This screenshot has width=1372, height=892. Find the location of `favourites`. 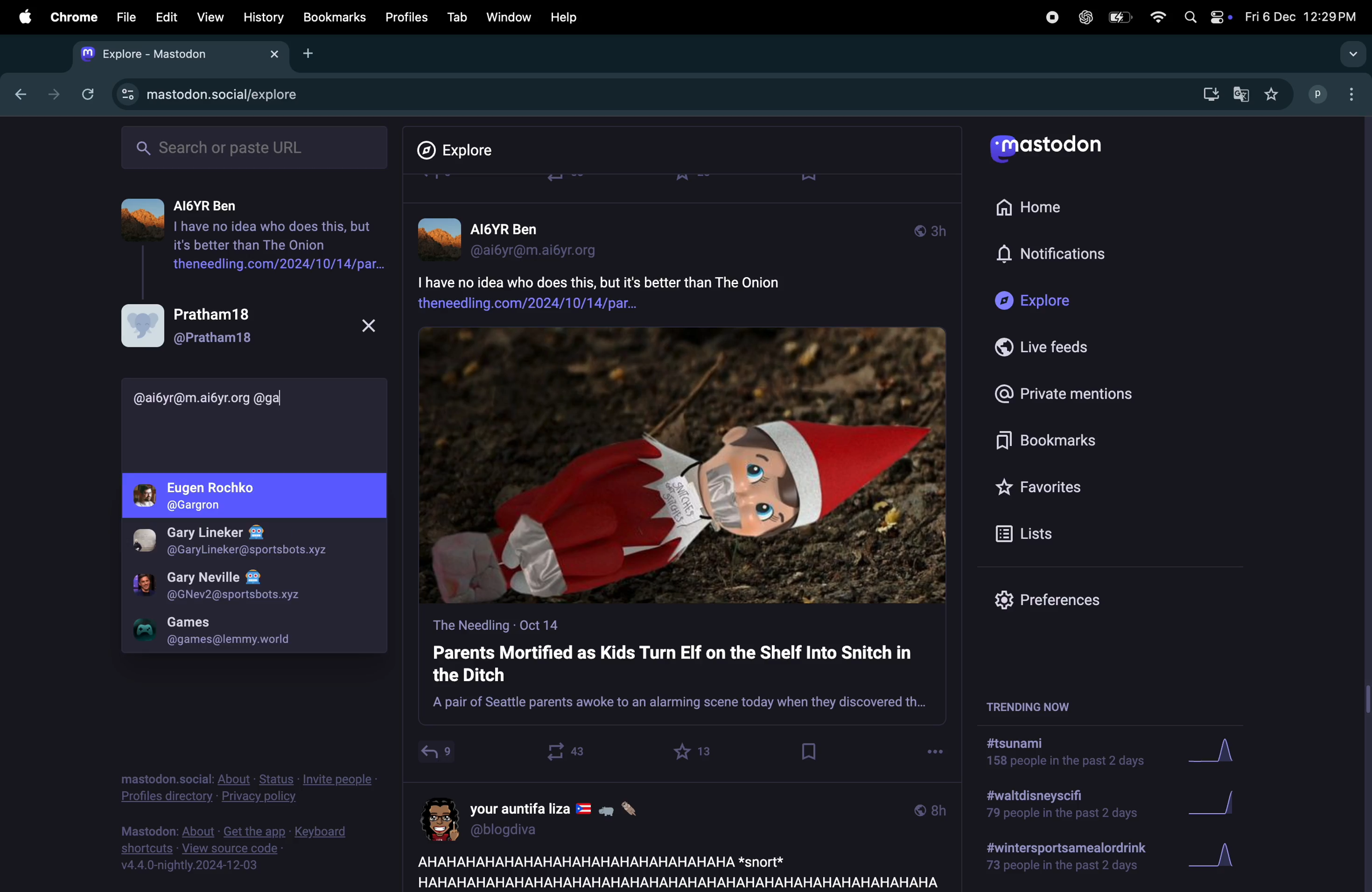

favourites is located at coordinates (1271, 95).